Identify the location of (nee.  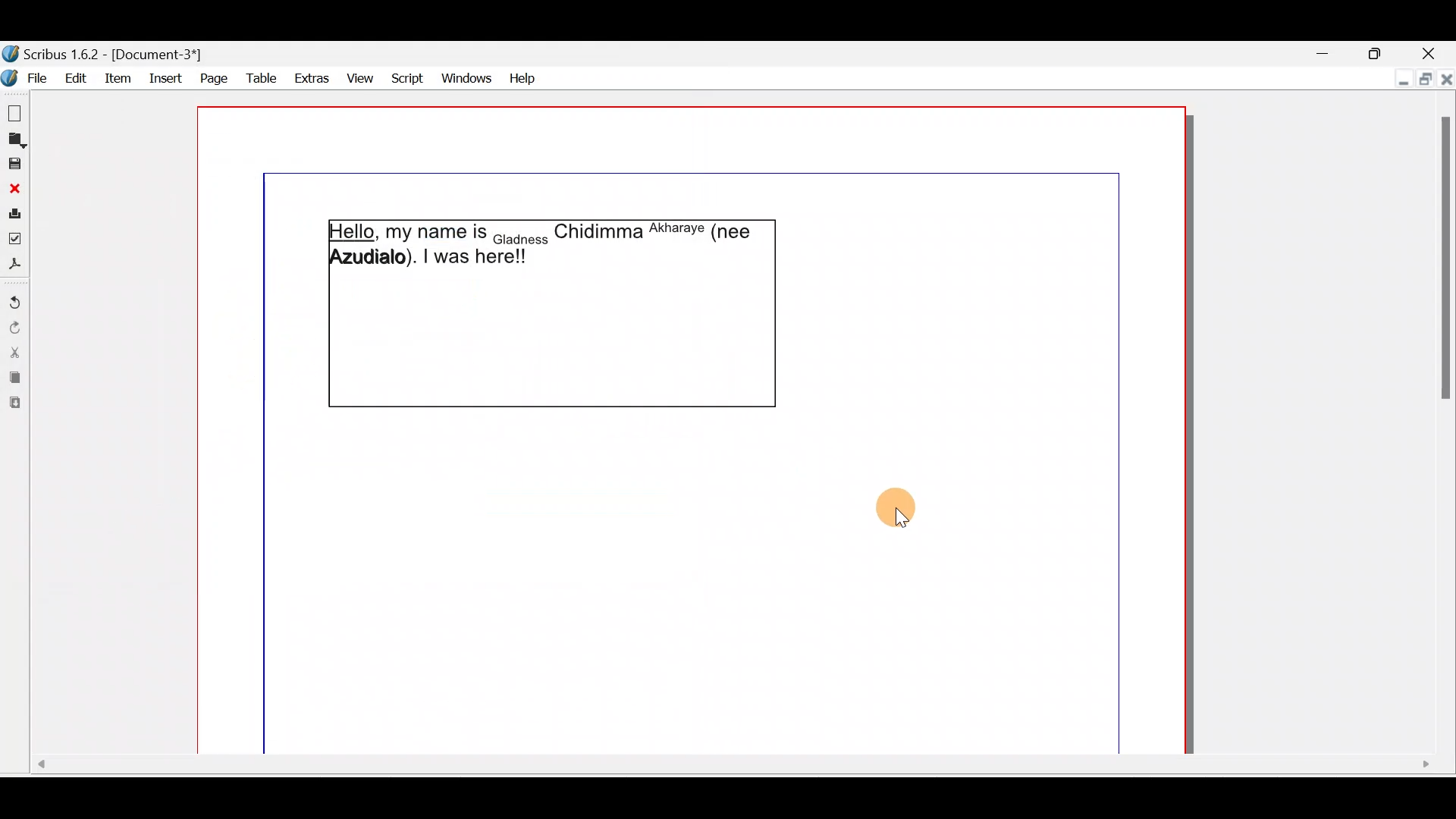
(733, 231).